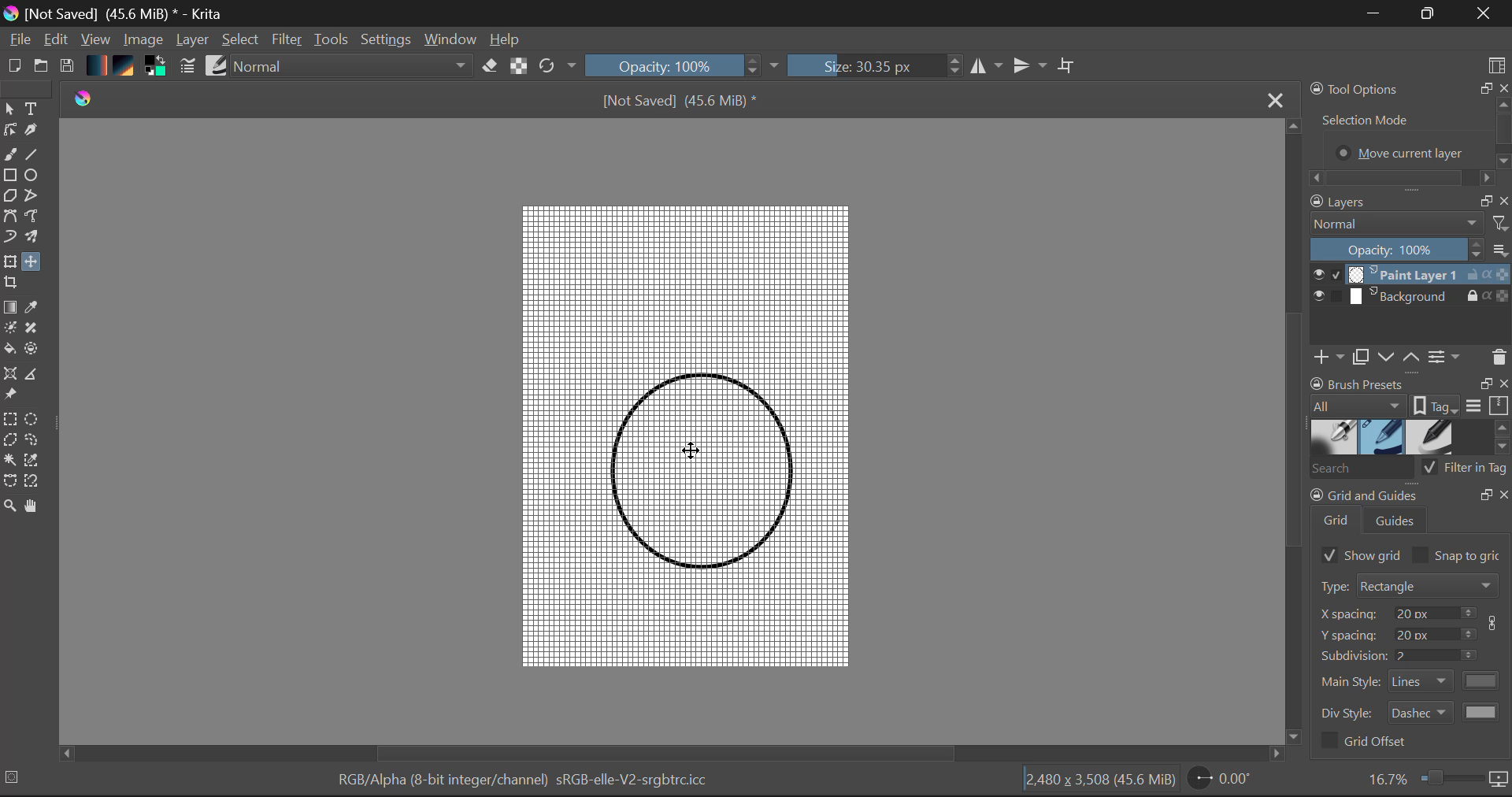  What do you see at coordinates (1460, 555) in the screenshot?
I see `Snap to grid` at bounding box center [1460, 555].